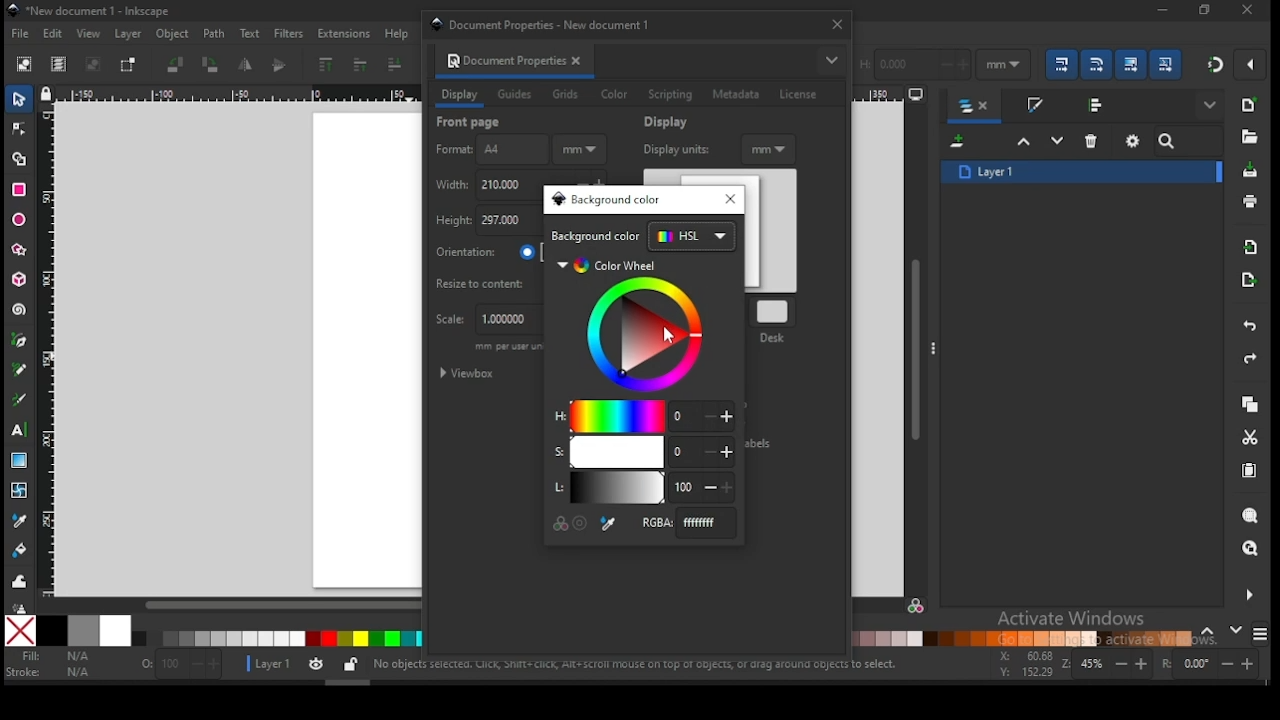 The width and height of the screenshot is (1280, 720). I want to click on 3D box tool, so click(21, 279).